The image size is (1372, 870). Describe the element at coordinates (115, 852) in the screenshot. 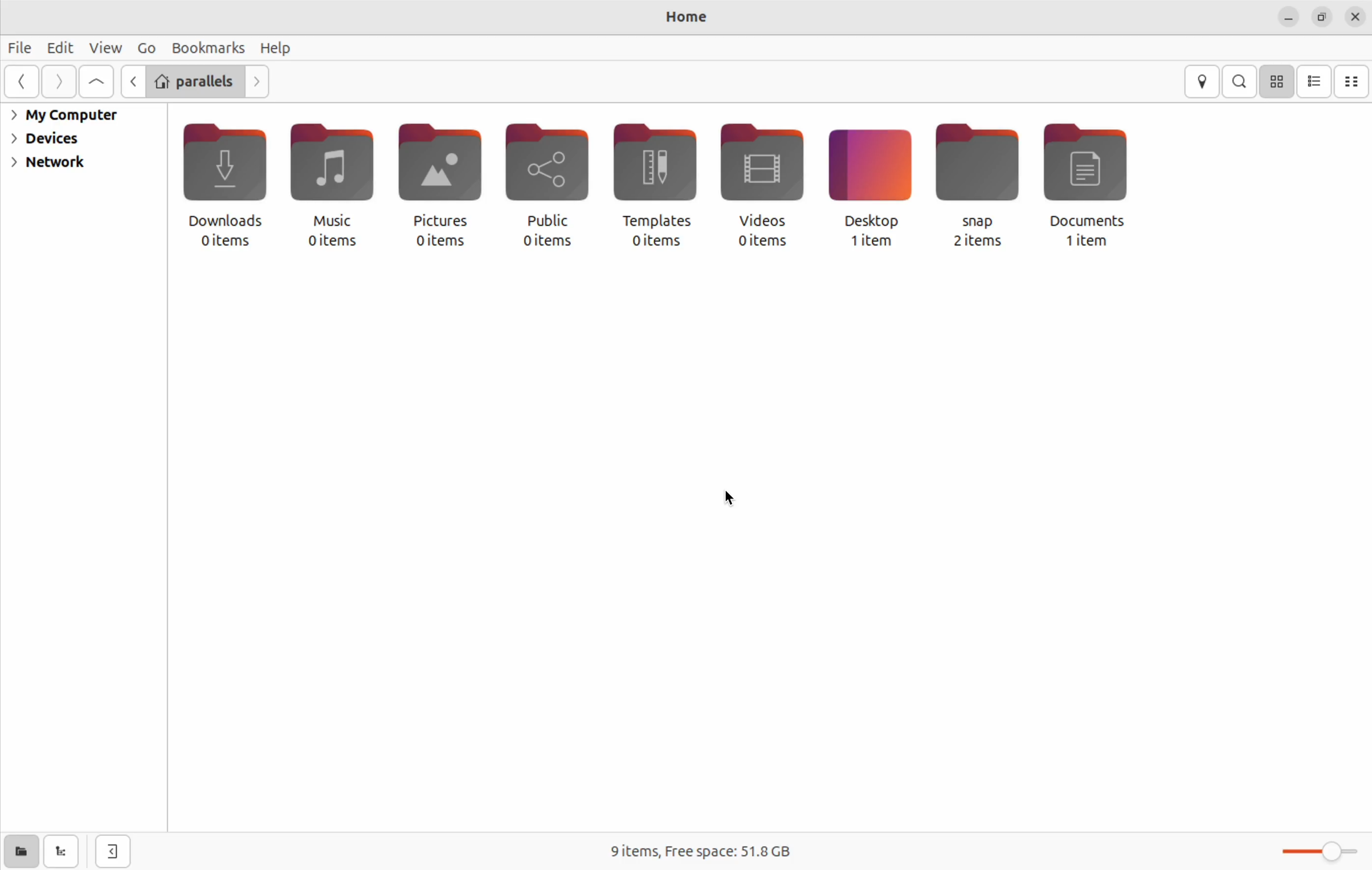

I see `hide side bar` at that location.